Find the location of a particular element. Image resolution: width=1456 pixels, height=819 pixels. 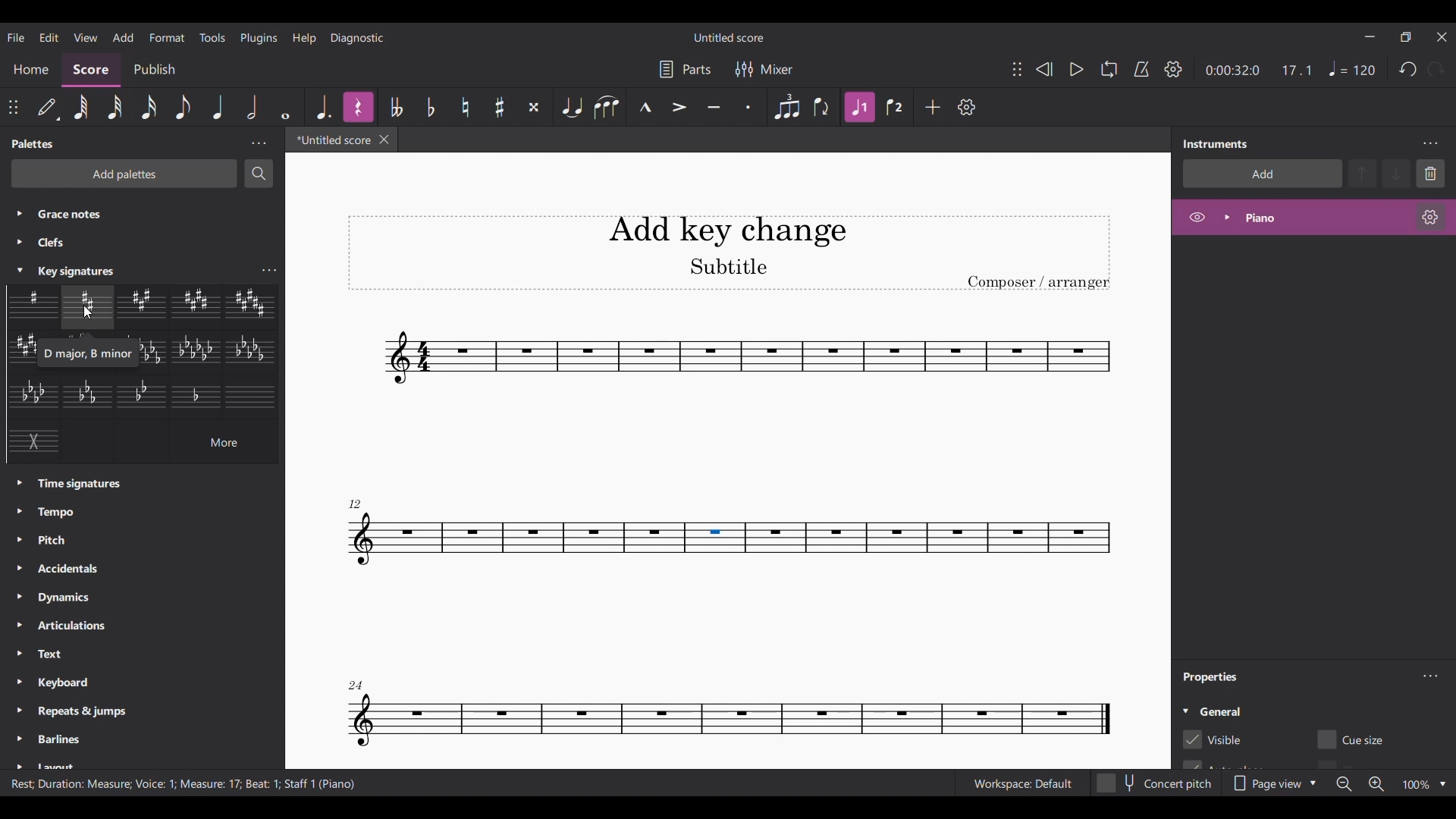

Show/Hide settings is located at coordinates (1174, 69).